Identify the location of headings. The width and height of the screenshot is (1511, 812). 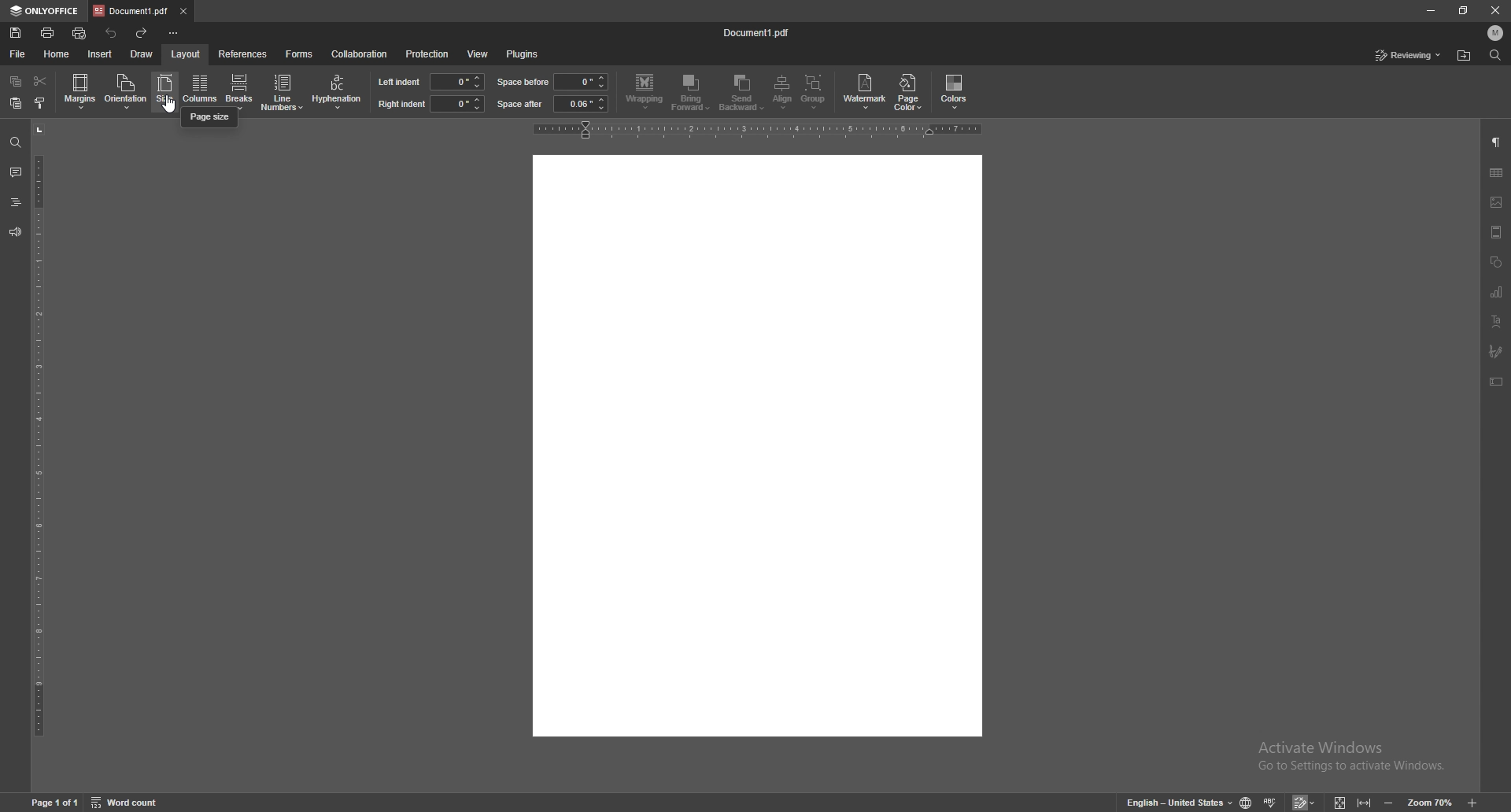
(15, 202).